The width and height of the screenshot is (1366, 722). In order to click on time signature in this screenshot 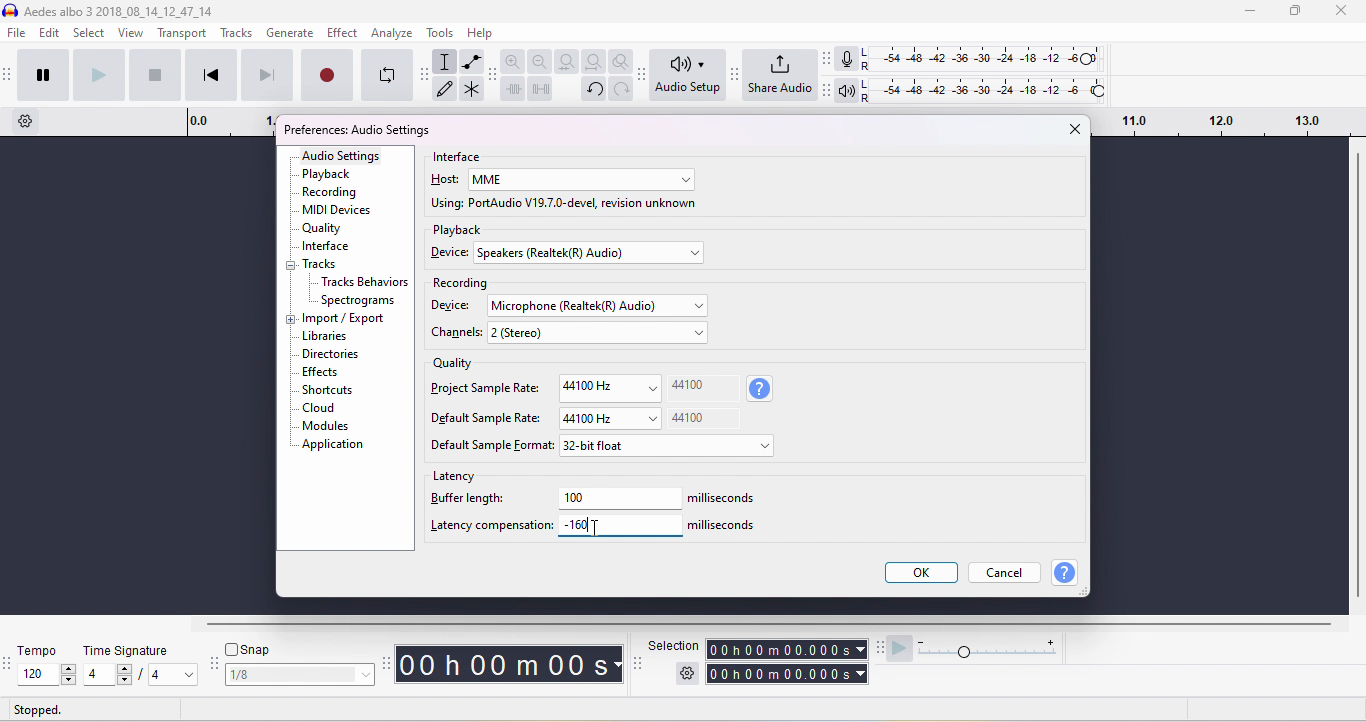, I will do `click(127, 650)`.